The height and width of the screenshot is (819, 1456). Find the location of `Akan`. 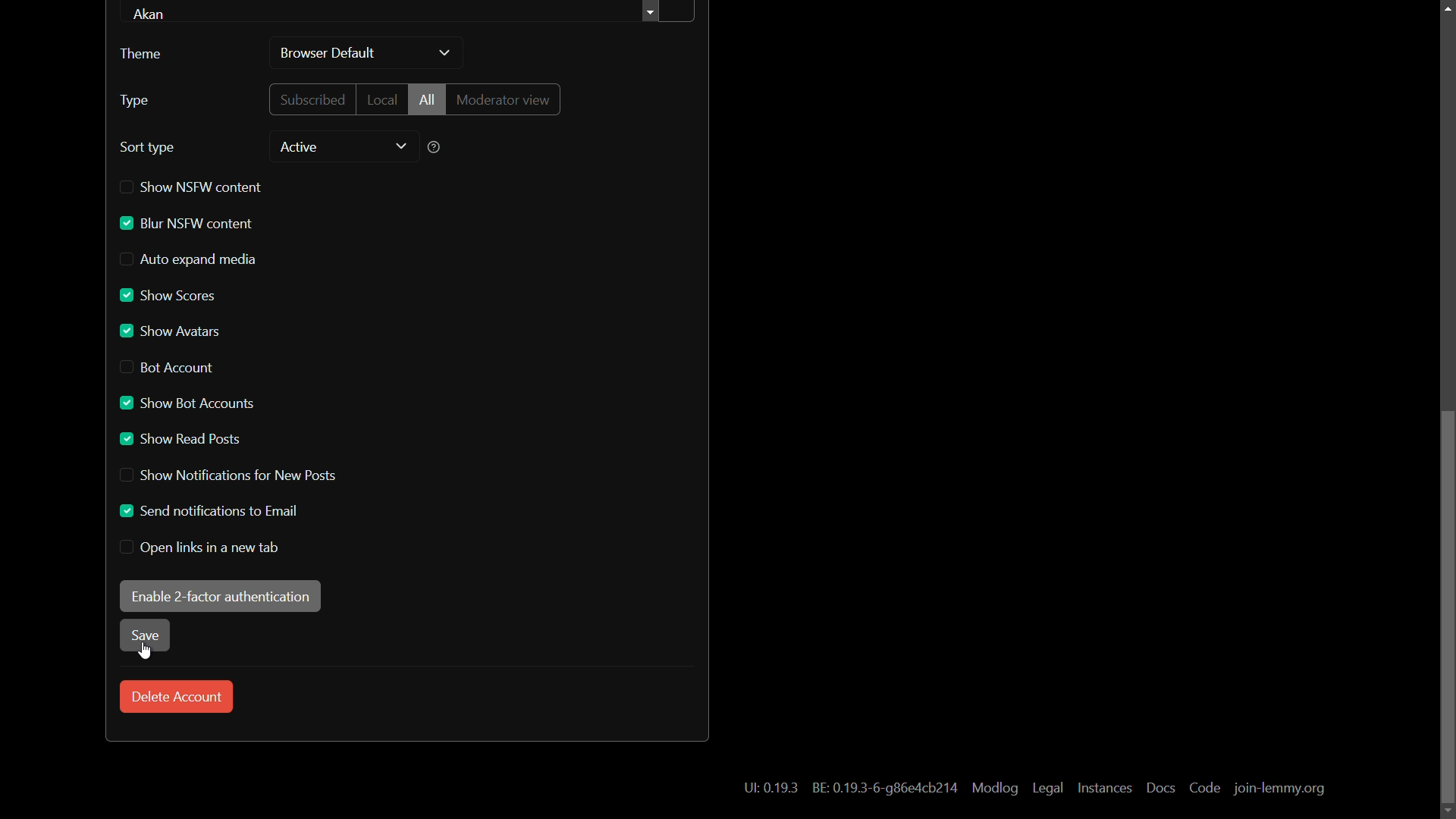

Akan is located at coordinates (155, 14).